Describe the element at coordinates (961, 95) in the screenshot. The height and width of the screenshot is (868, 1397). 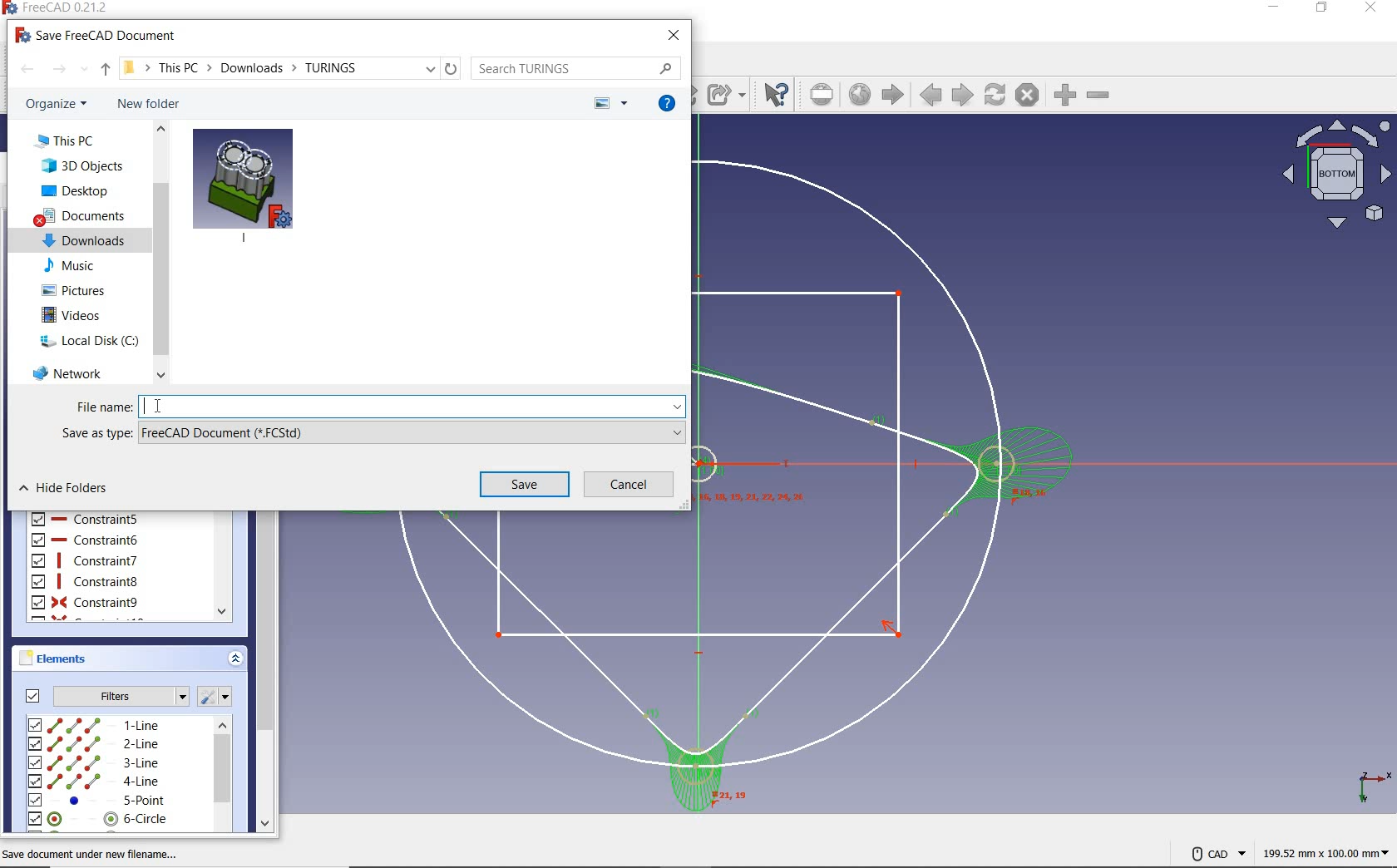
I see `next page` at that location.